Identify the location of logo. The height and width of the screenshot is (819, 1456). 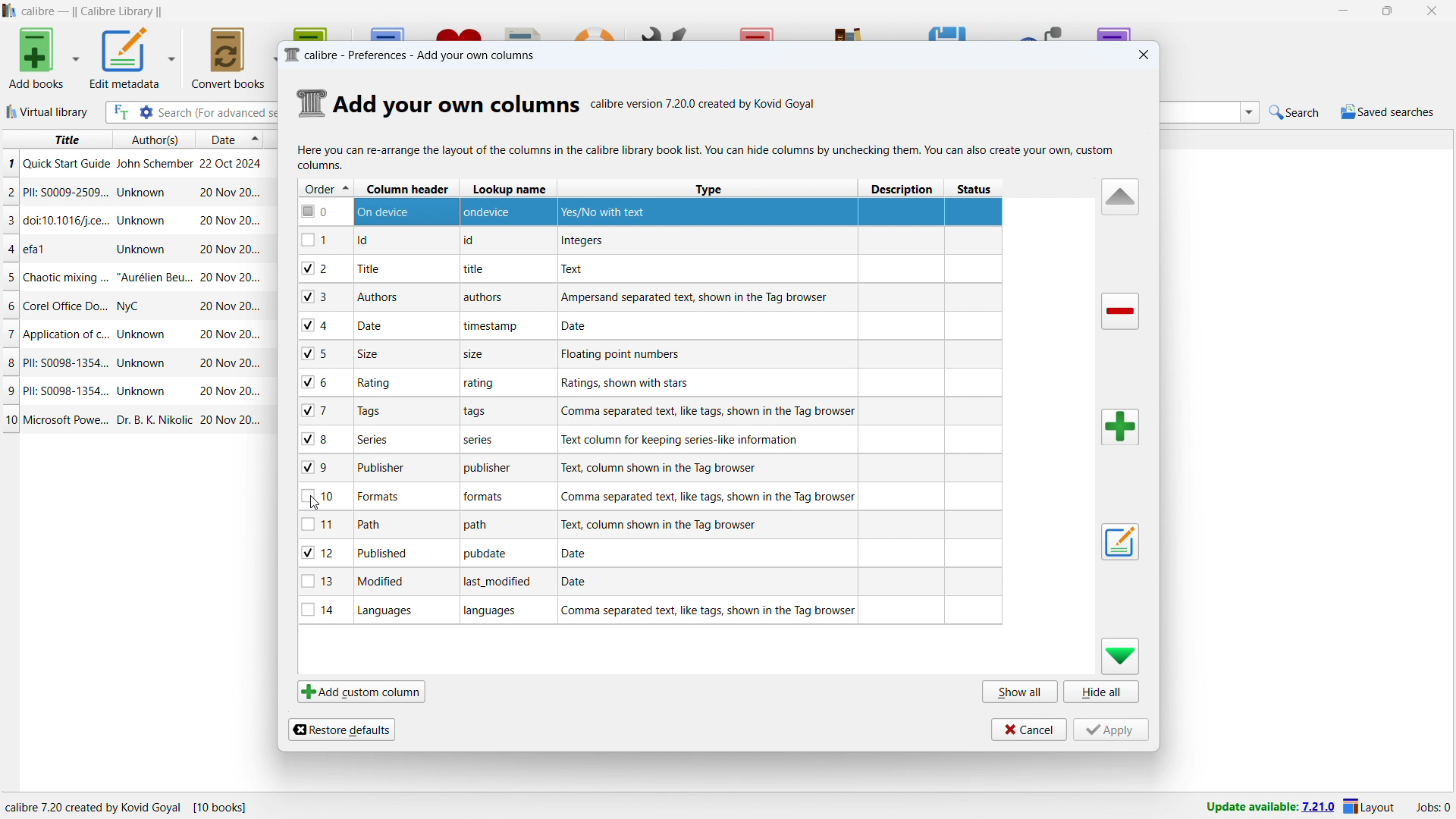
(10, 11).